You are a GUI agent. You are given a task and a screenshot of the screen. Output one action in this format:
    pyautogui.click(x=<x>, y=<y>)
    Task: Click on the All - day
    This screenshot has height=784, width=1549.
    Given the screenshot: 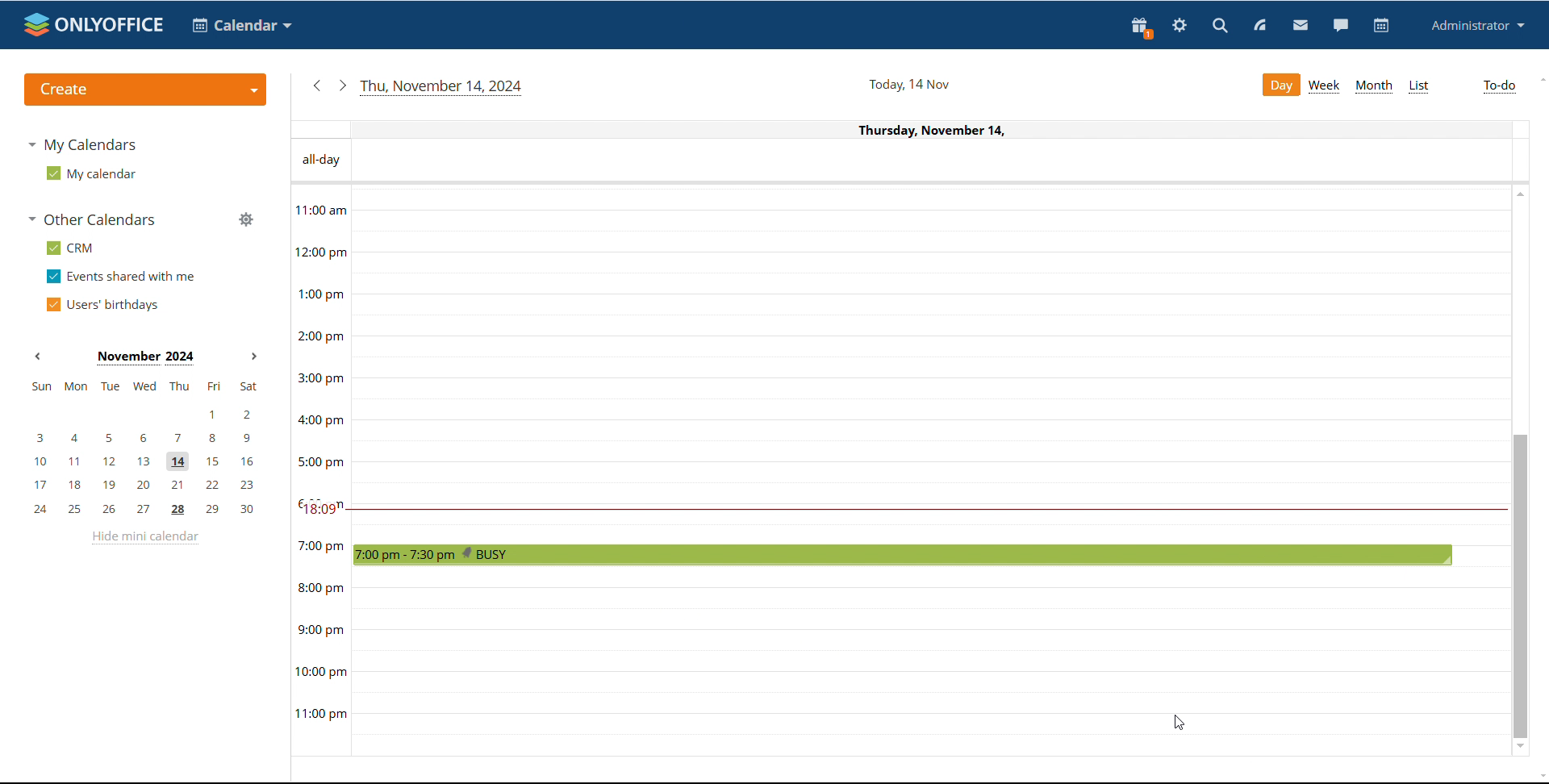 What is the action you would take?
    pyautogui.click(x=322, y=161)
    